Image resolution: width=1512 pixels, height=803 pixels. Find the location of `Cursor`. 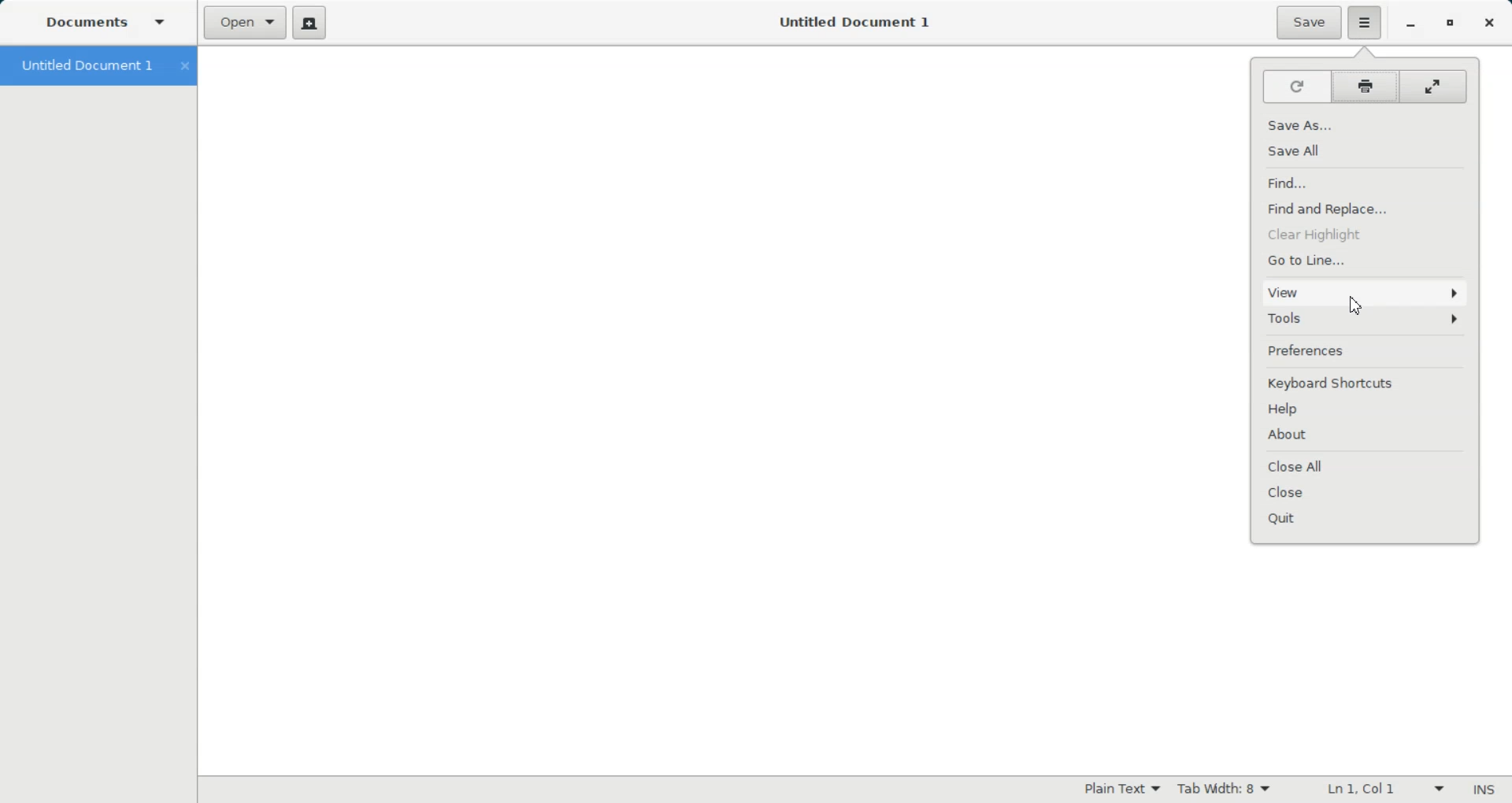

Cursor is located at coordinates (1356, 305).